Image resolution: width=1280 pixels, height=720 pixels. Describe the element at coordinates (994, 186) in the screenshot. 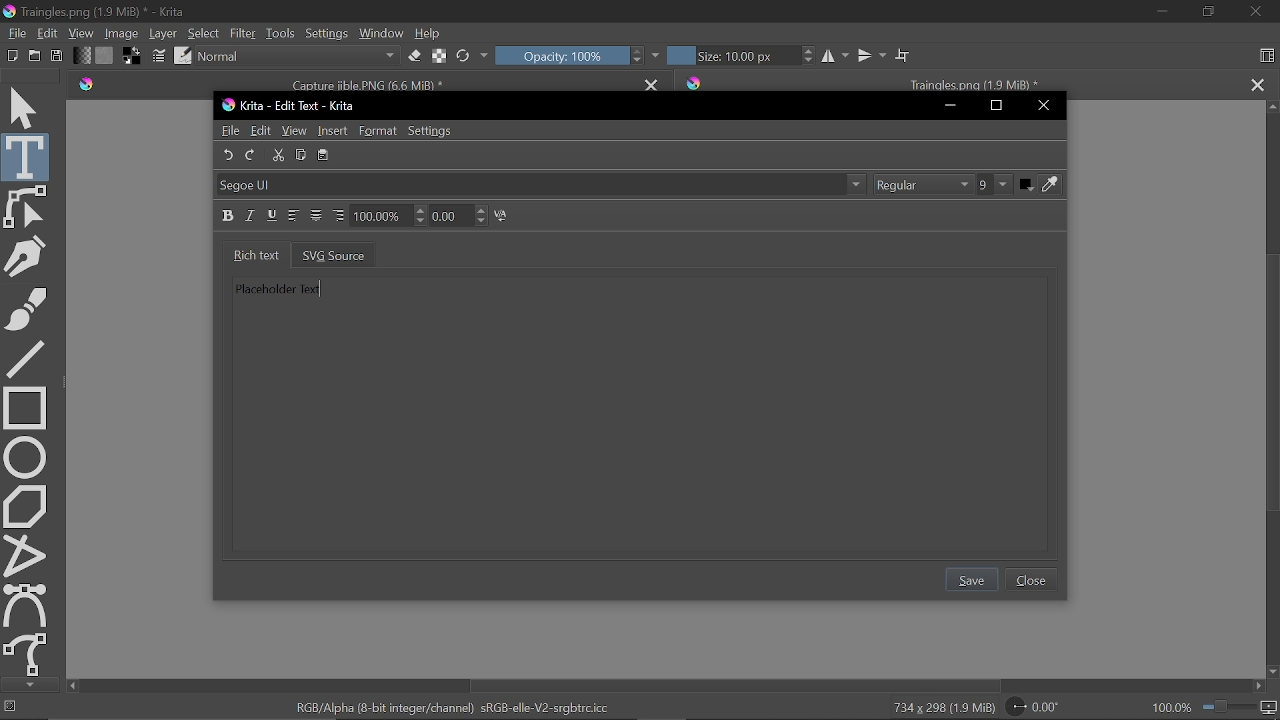

I see `9` at that location.